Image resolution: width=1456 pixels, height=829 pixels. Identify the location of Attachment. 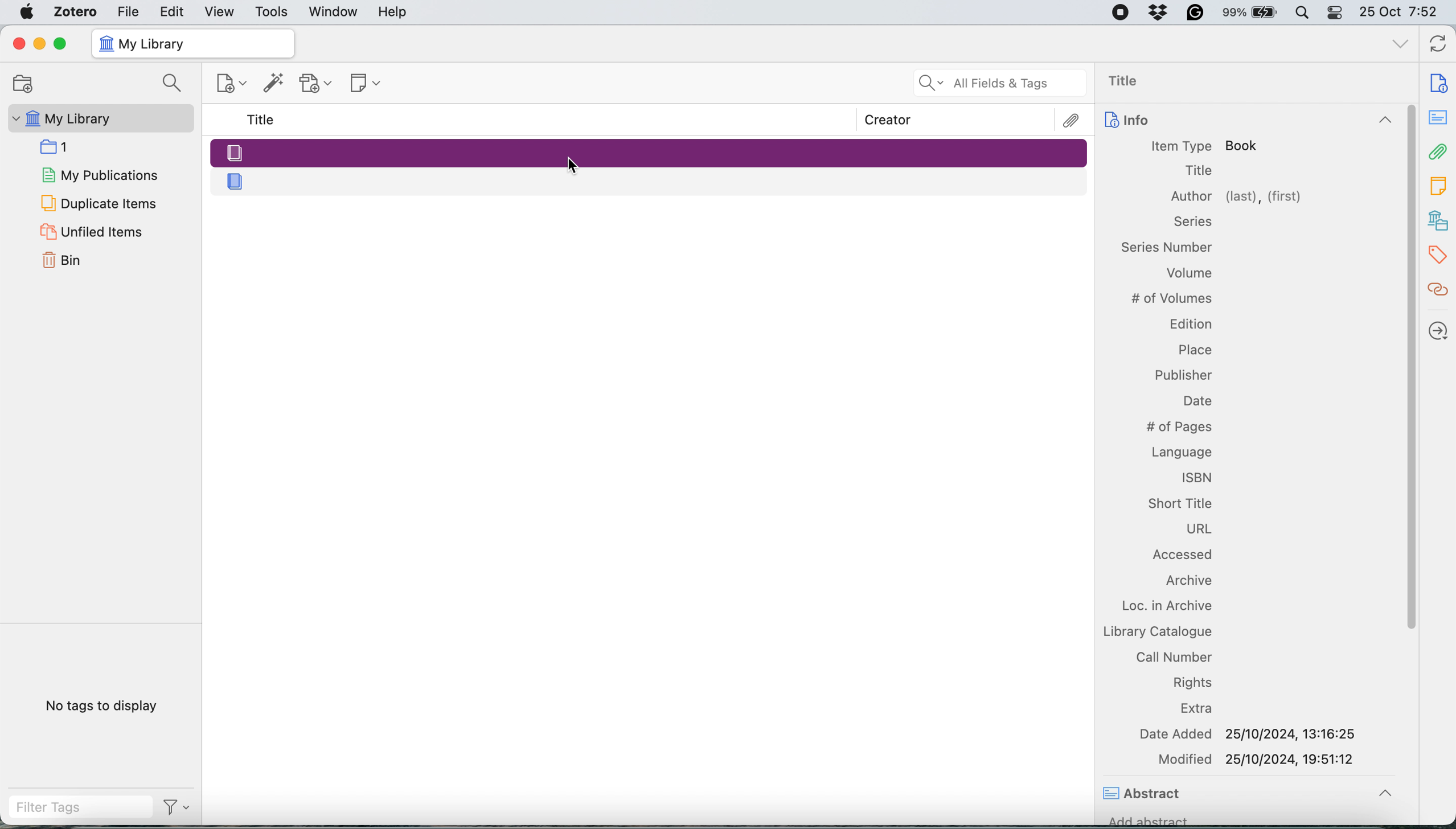
(1439, 151).